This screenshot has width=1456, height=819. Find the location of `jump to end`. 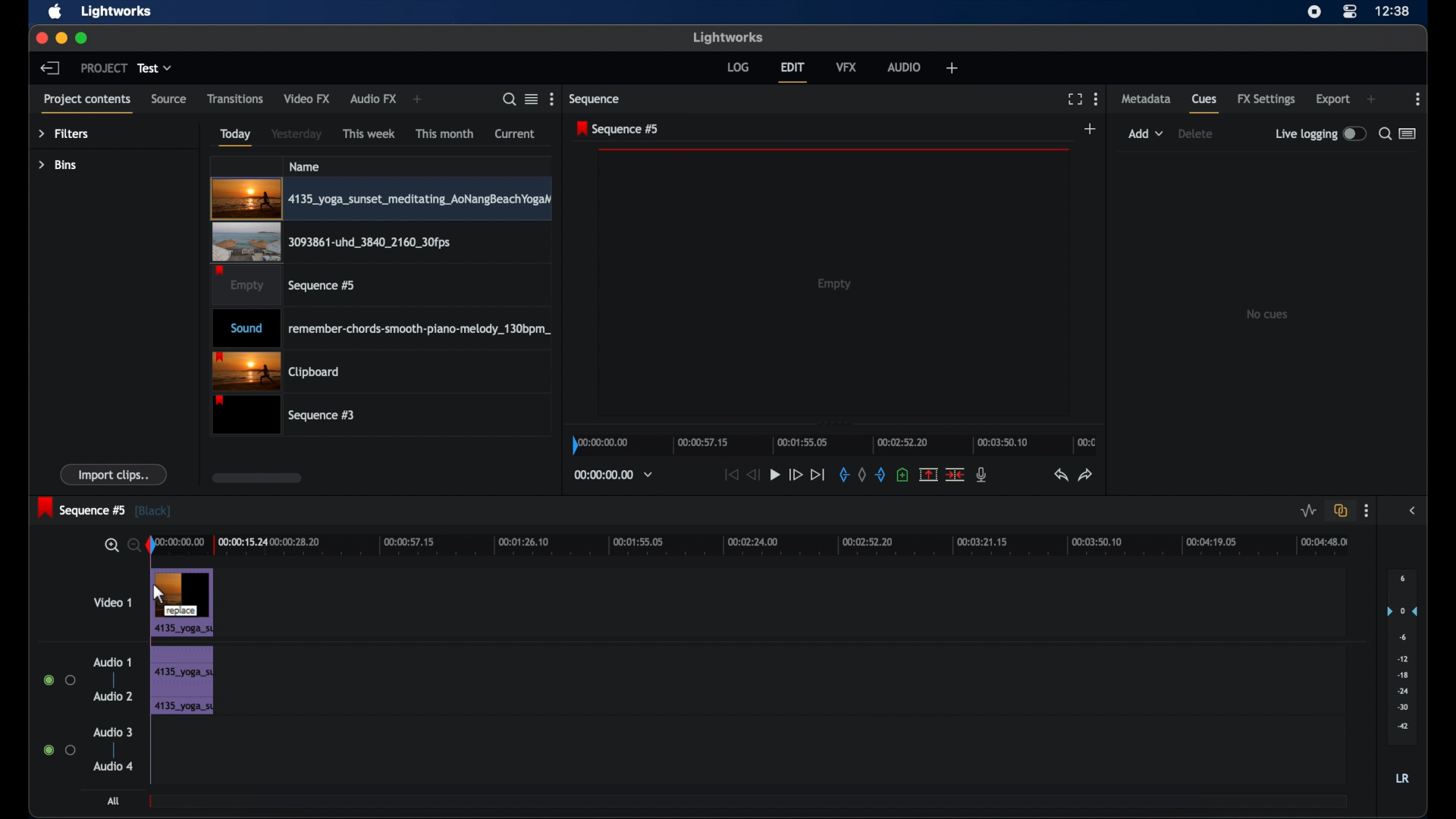

jump to end is located at coordinates (817, 474).